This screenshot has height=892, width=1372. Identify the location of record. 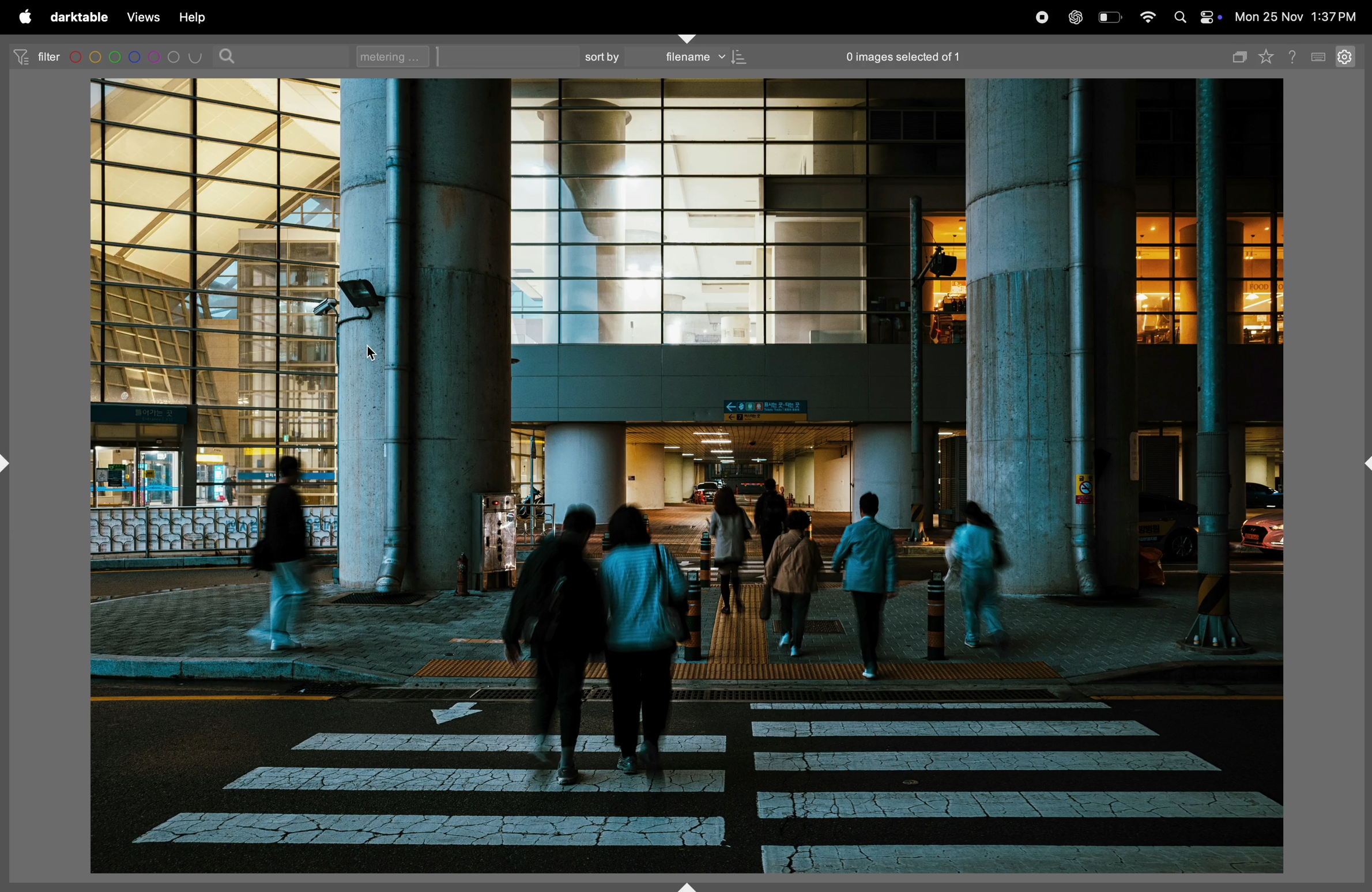
(1044, 16).